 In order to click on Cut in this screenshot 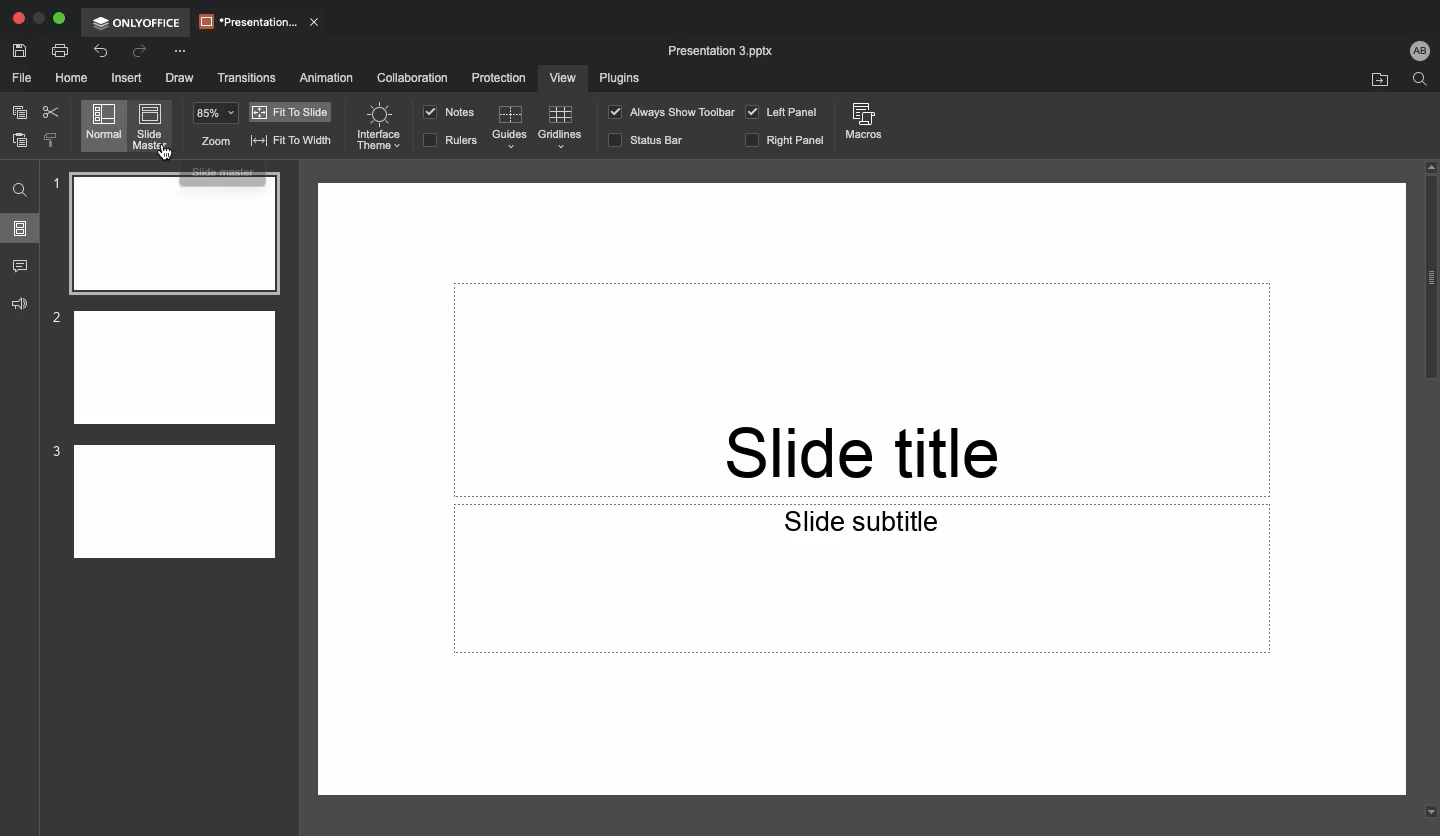, I will do `click(53, 114)`.